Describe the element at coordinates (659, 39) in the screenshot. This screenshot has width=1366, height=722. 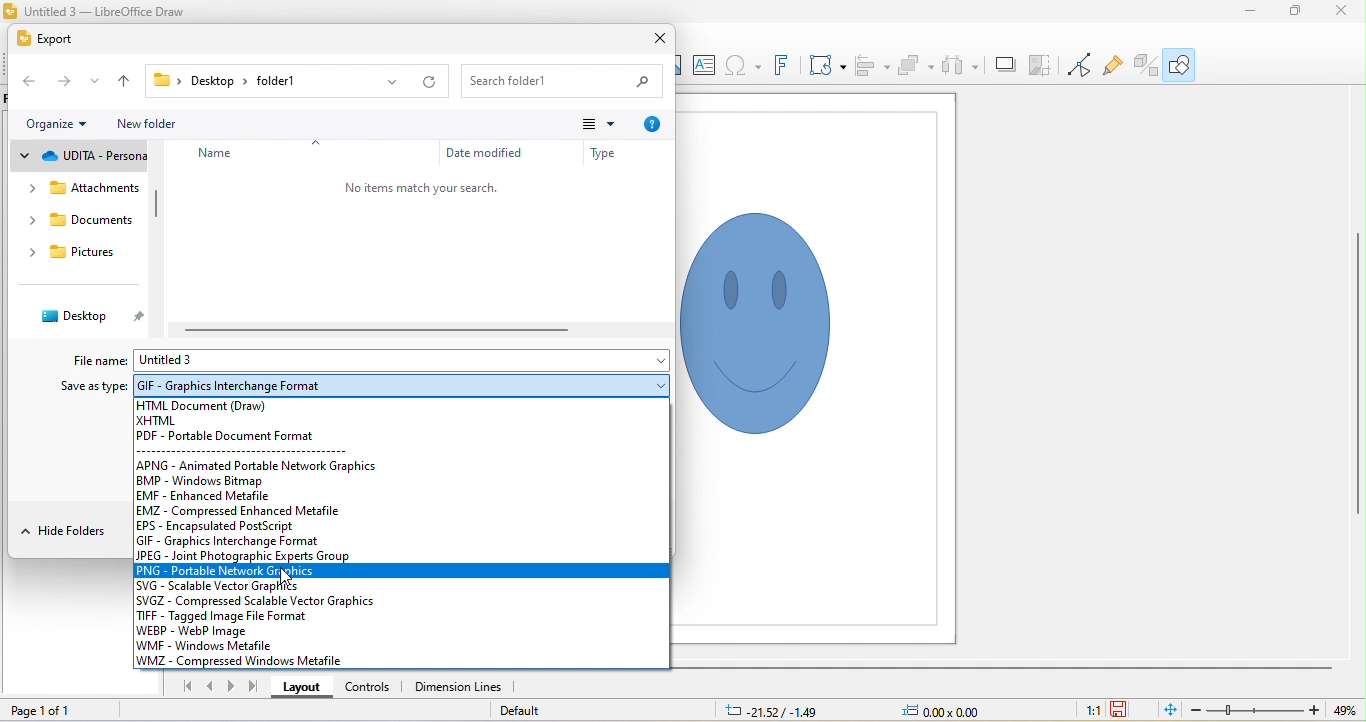
I see `close` at that location.